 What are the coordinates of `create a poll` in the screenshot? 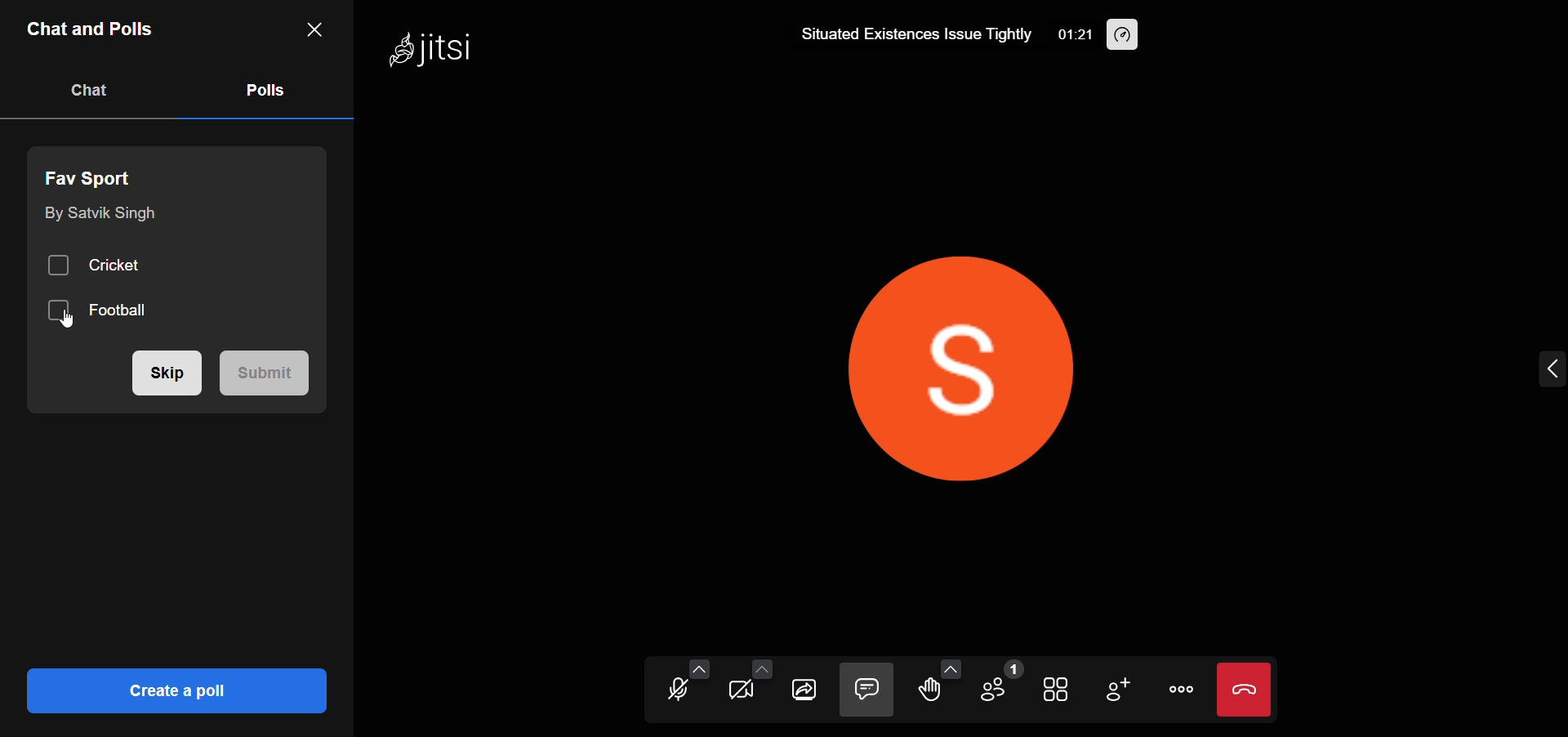 It's located at (176, 690).